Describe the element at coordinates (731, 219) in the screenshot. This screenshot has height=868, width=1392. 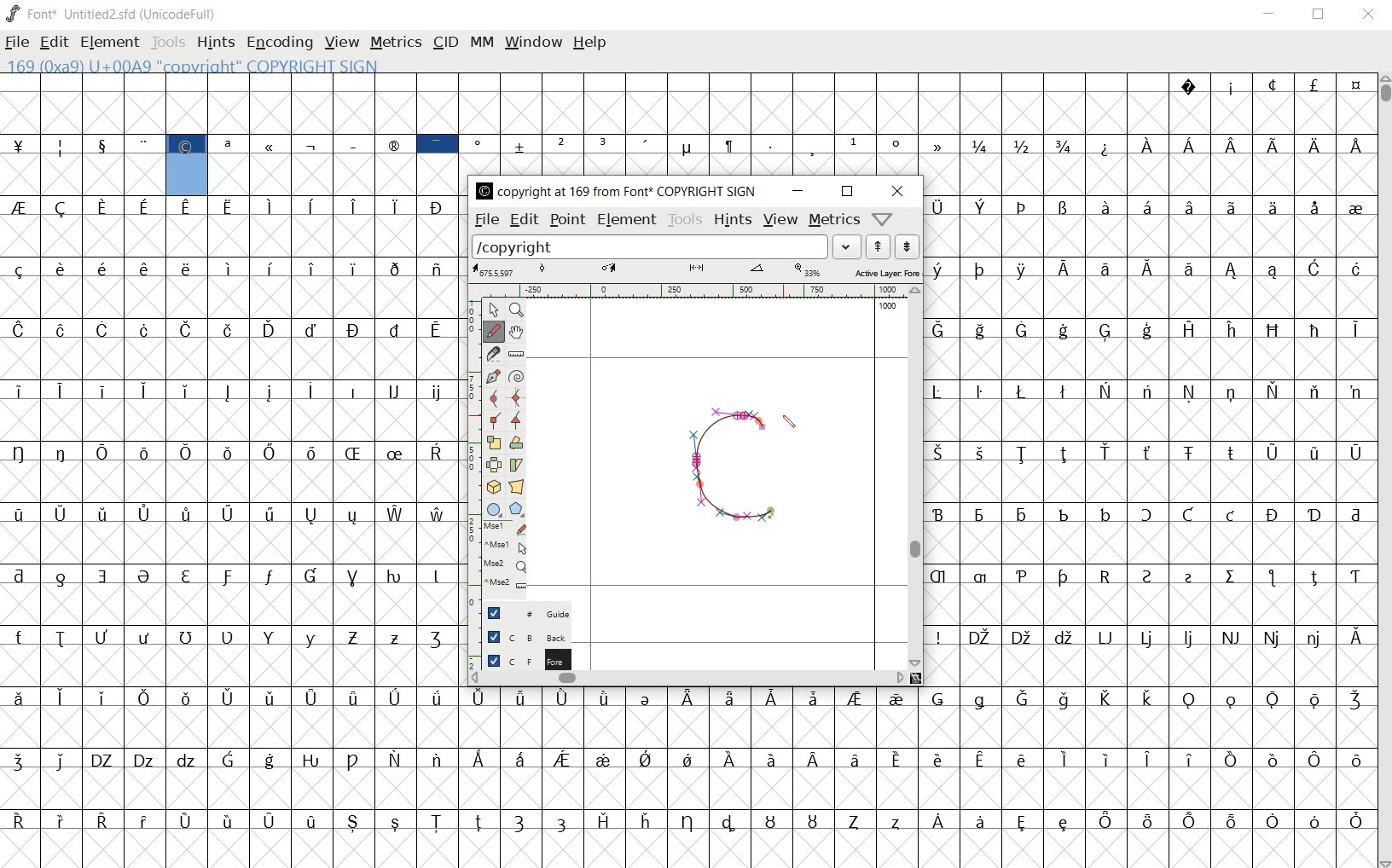
I see `hints` at that location.